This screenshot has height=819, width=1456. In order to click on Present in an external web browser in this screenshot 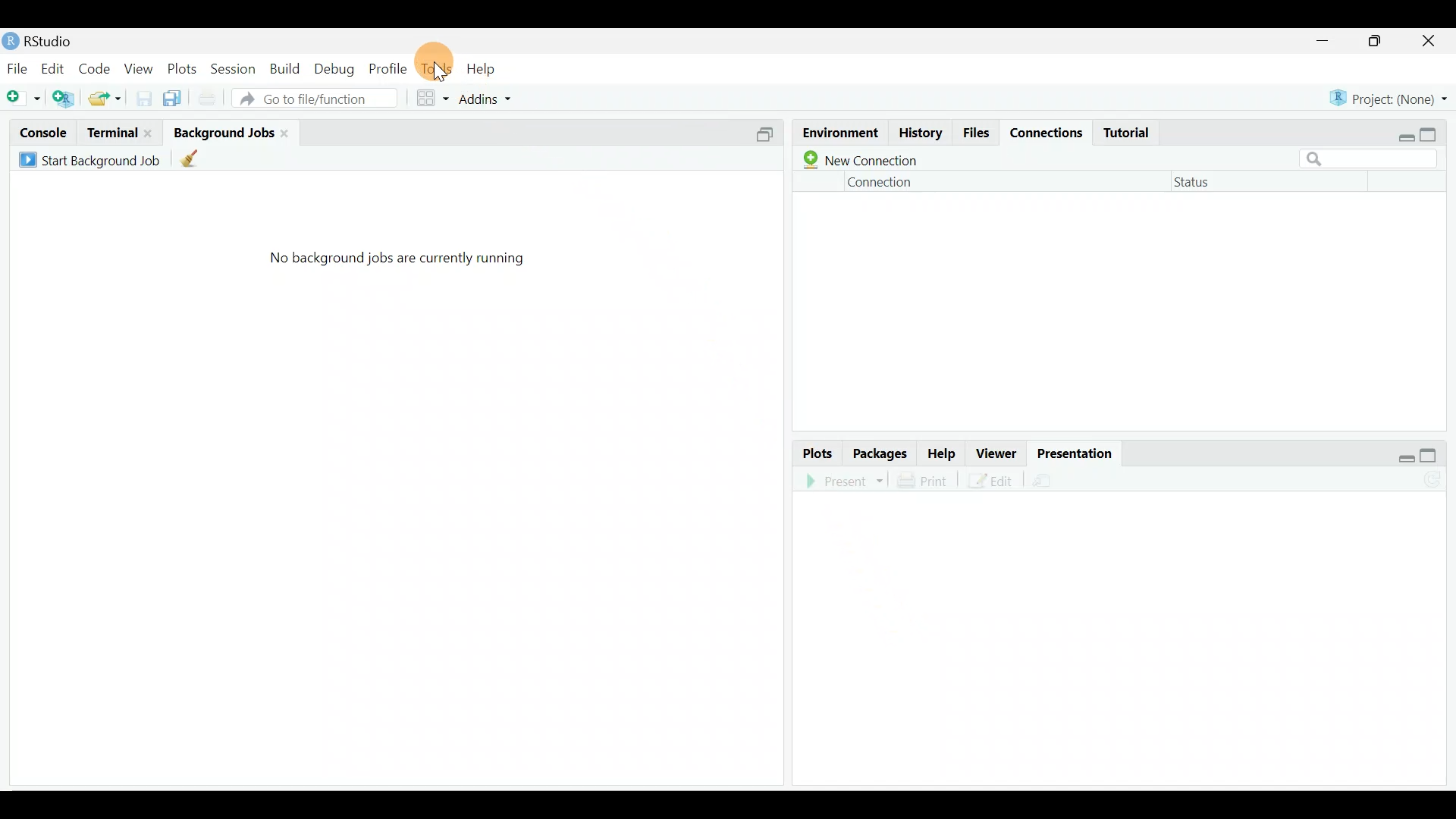, I will do `click(845, 482)`.